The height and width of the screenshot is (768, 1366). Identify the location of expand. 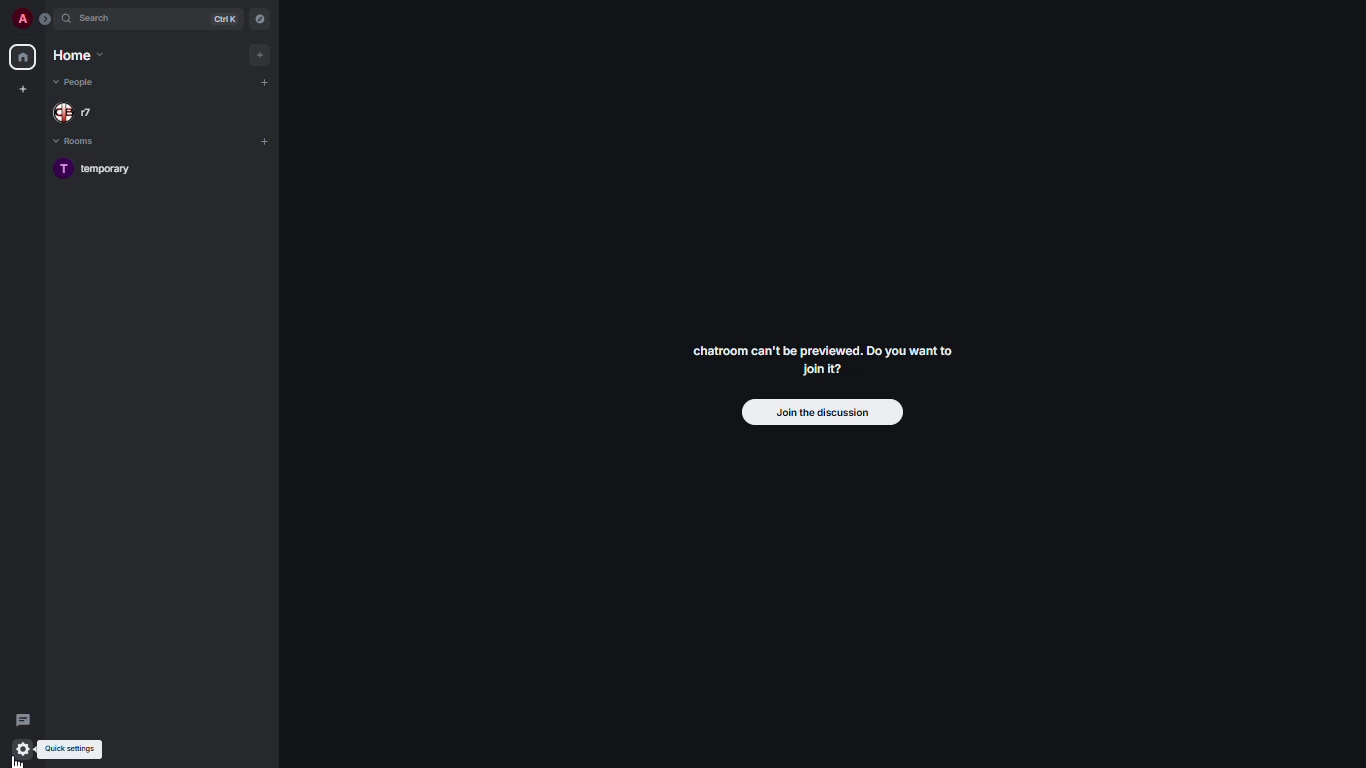
(46, 20).